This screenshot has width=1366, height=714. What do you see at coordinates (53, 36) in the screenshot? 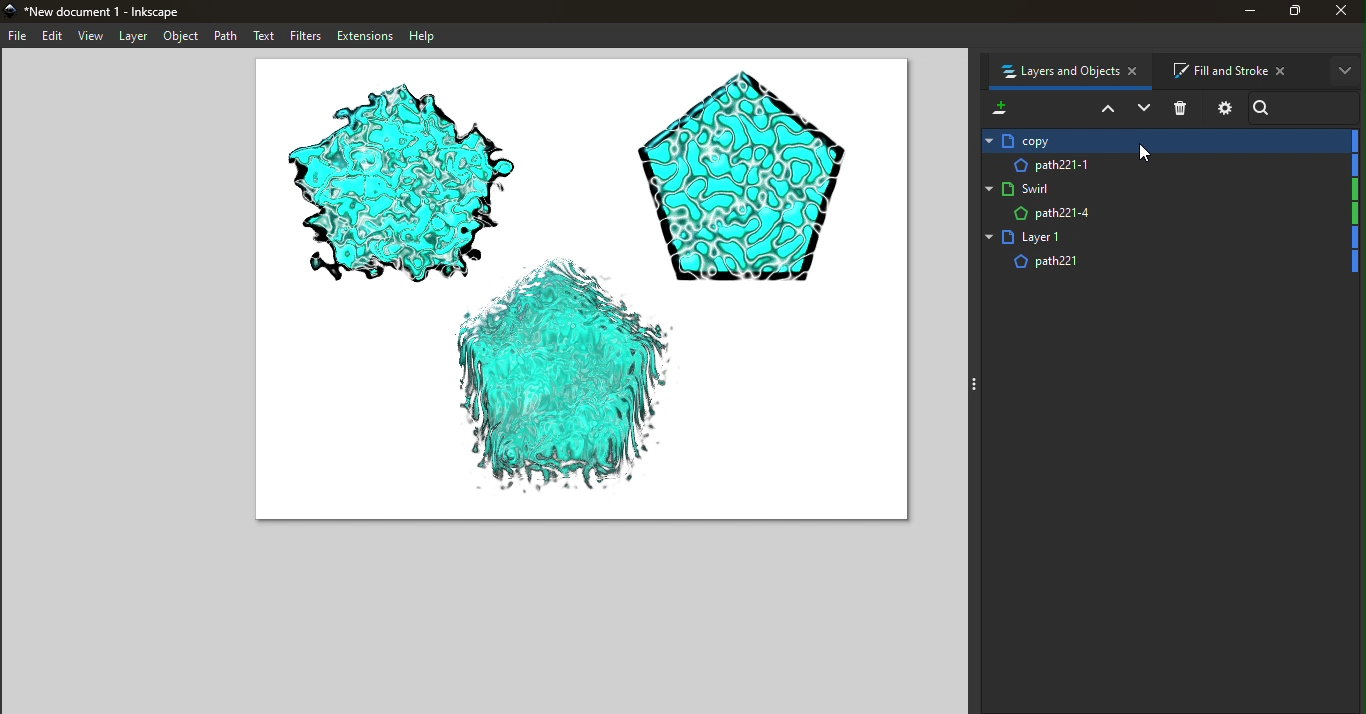
I see `Edit` at bounding box center [53, 36].